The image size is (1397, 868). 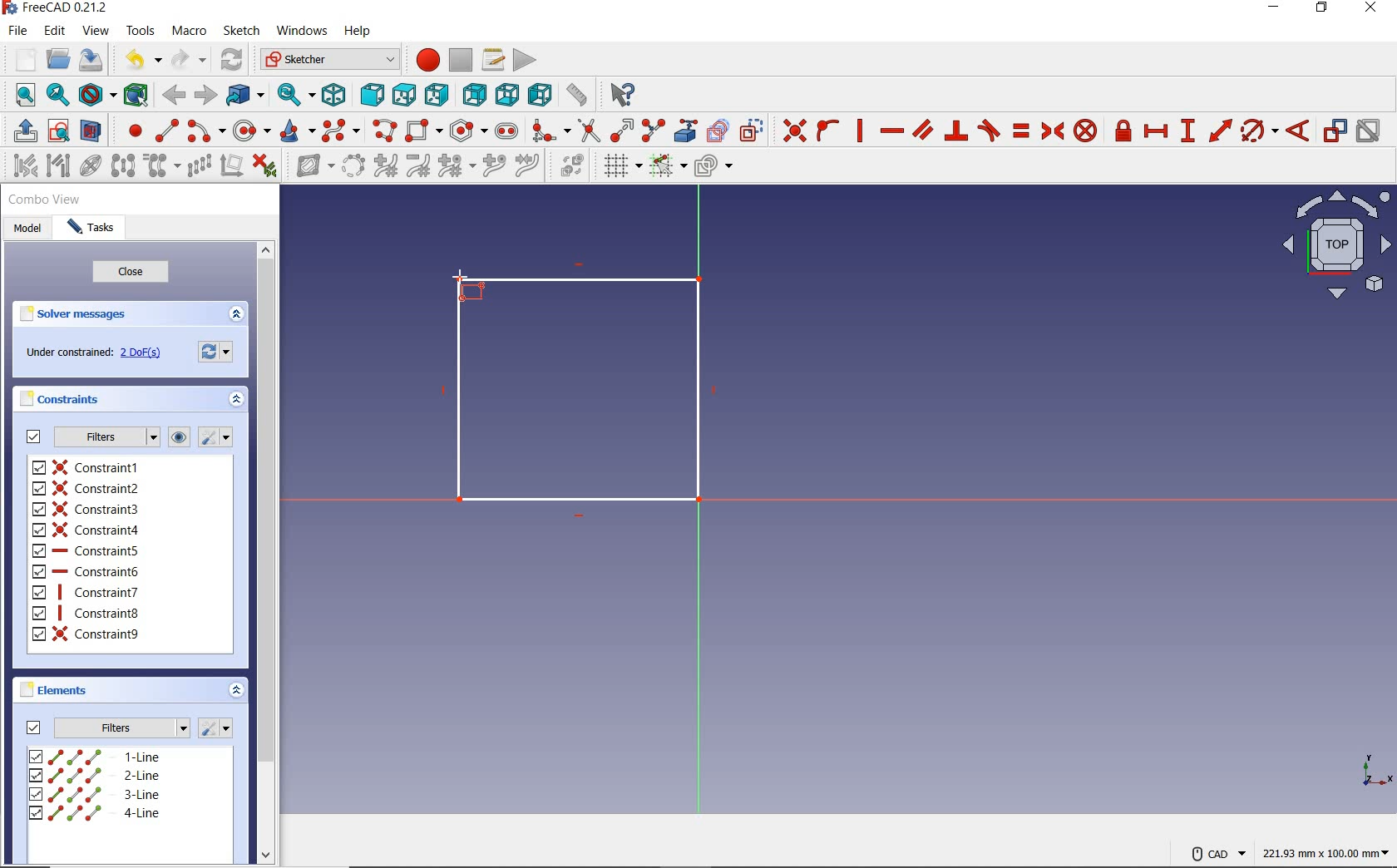 What do you see at coordinates (77, 317) in the screenshot?
I see `solver messages` at bounding box center [77, 317].